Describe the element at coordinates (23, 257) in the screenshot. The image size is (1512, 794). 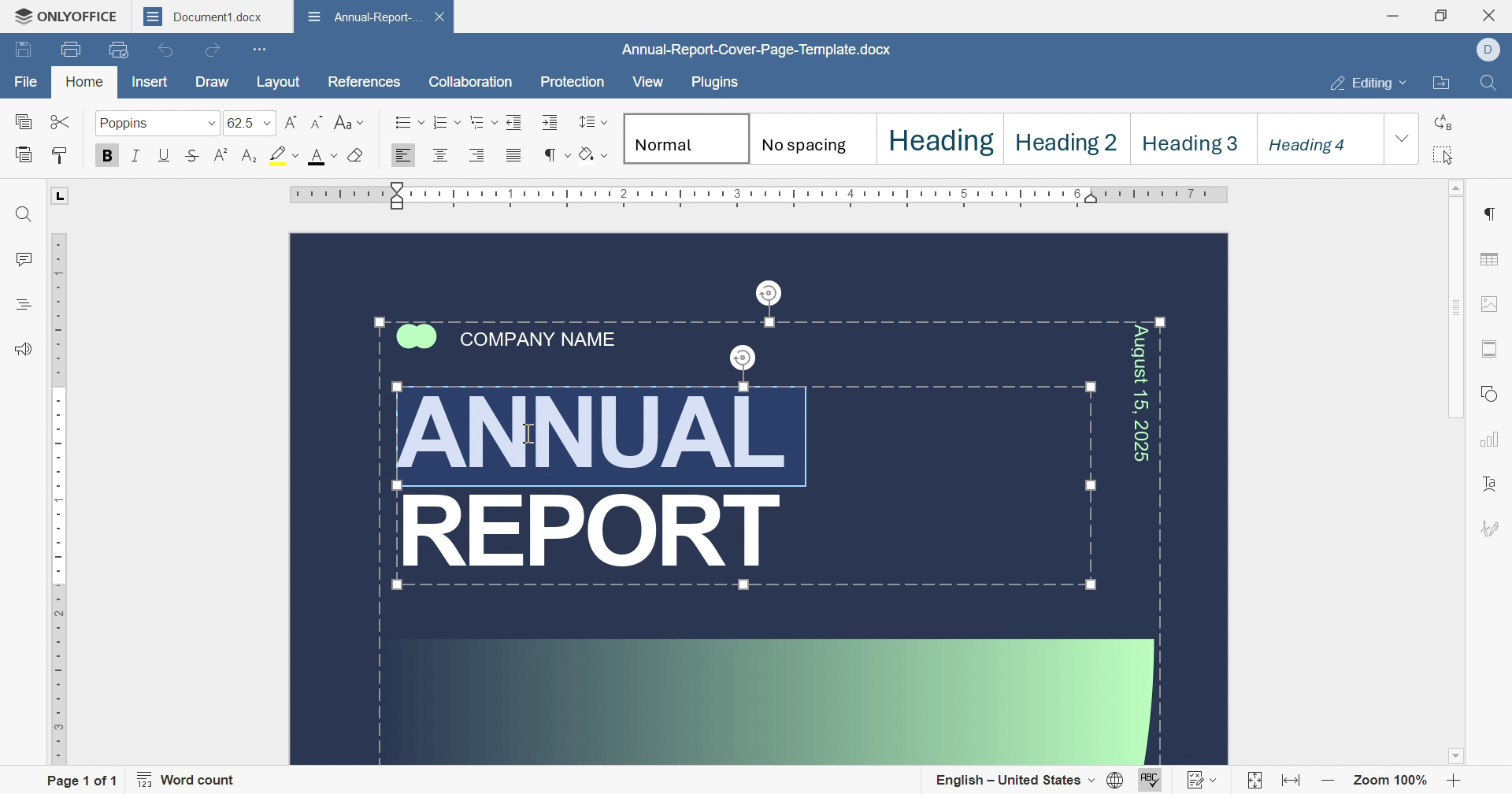
I see `comments` at that location.